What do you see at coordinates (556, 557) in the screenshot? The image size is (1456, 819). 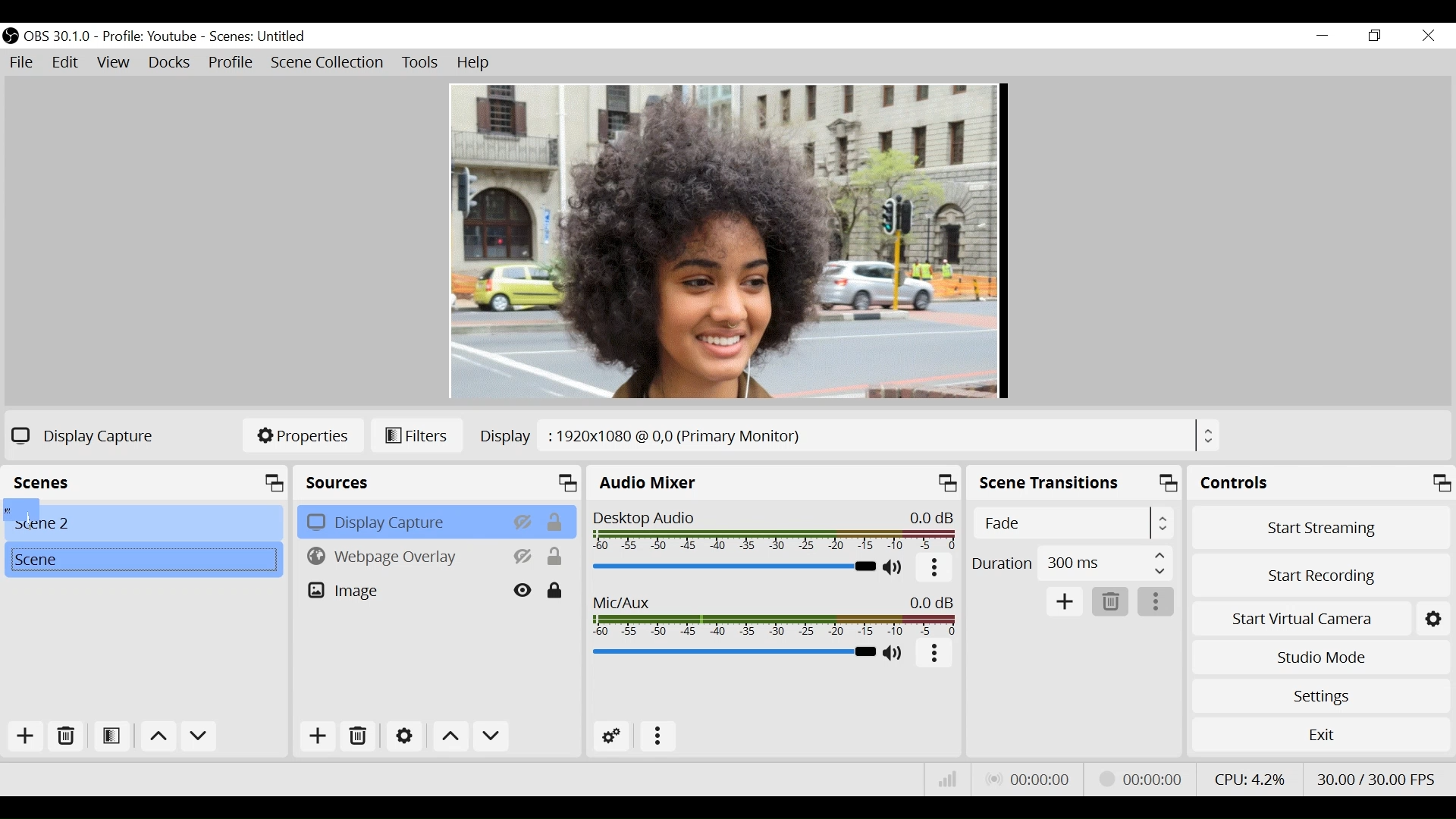 I see `(un)lock` at bounding box center [556, 557].